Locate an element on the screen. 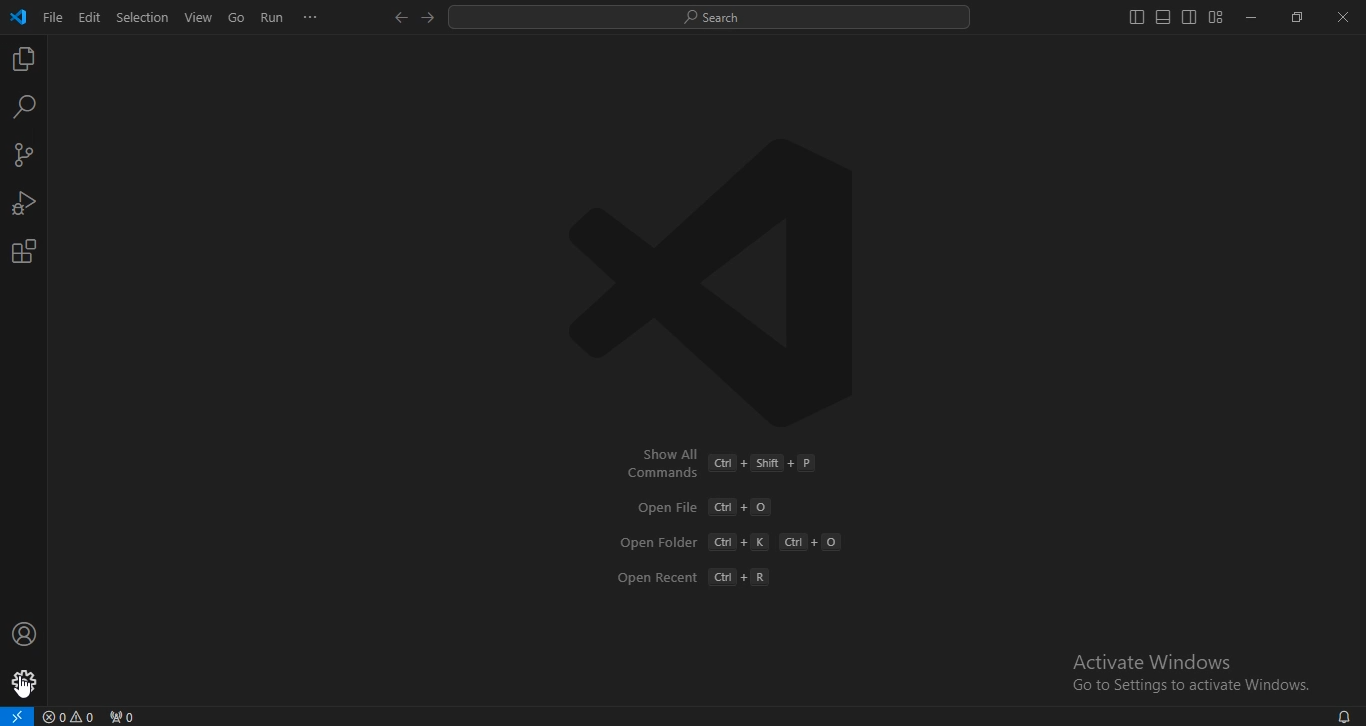 The image size is (1366, 726). VSCode is located at coordinates (18, 17).